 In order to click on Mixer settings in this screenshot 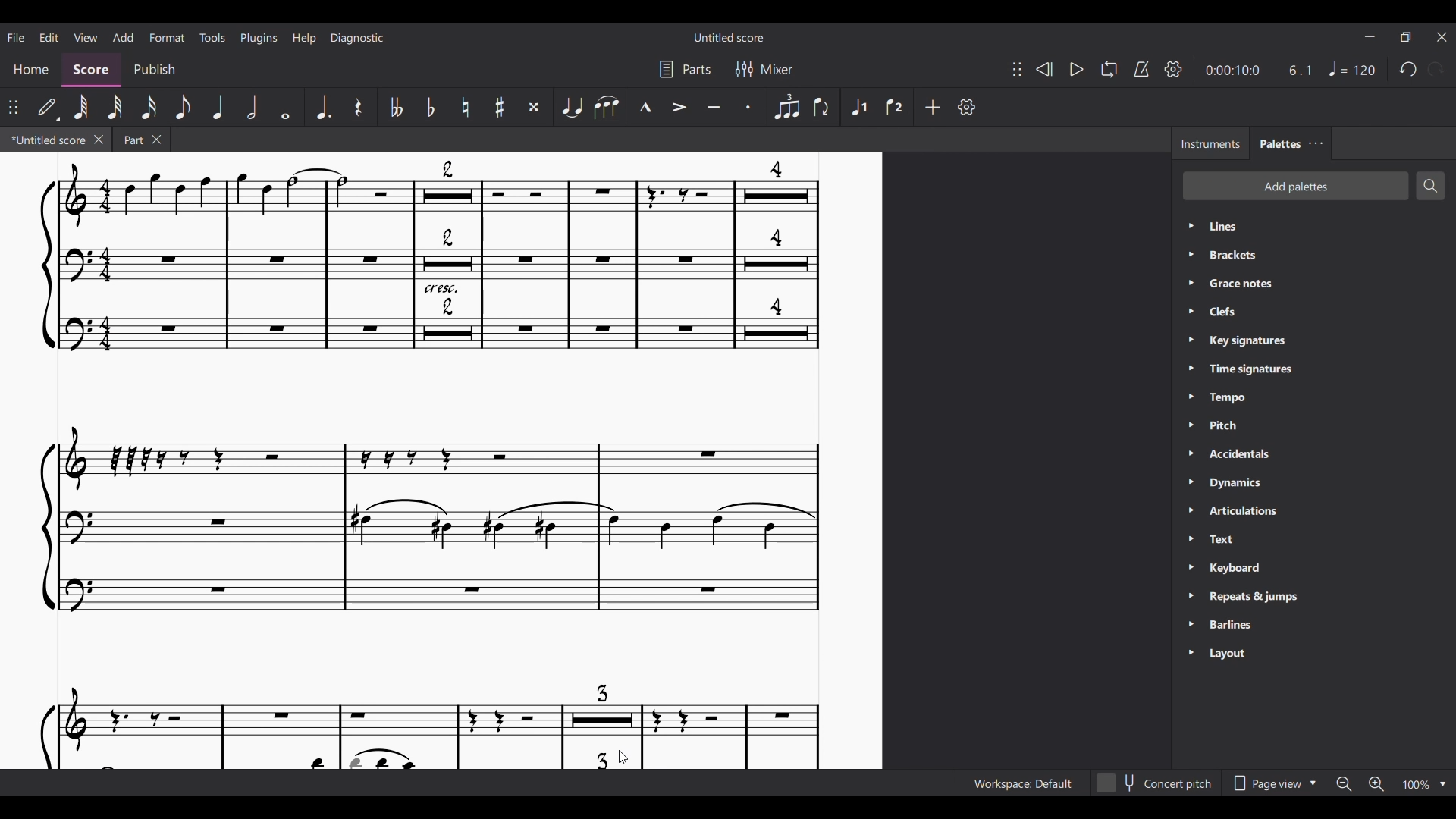, I will do `click(764, 68)`.